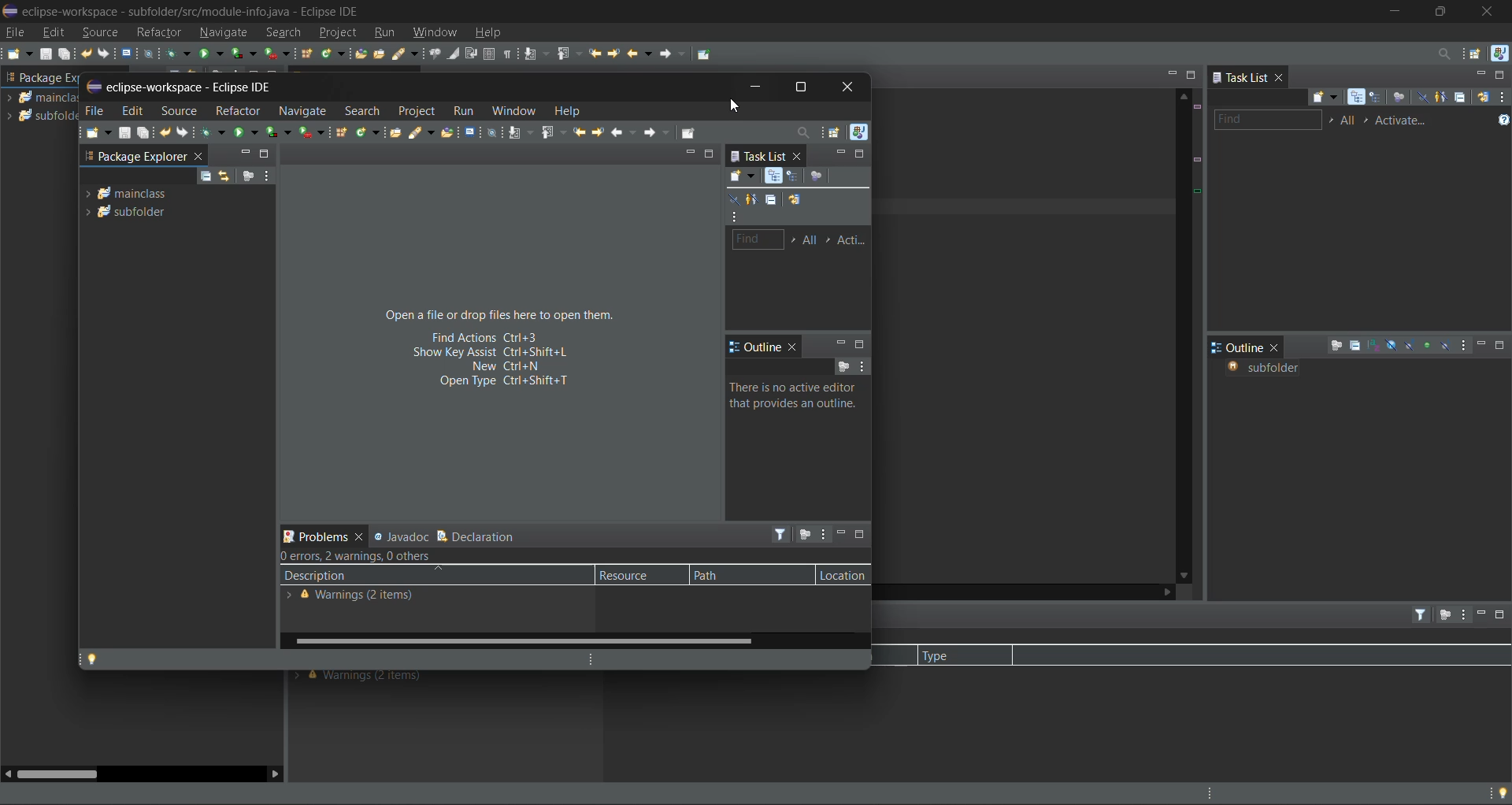  Describe the element at coordinates (758, 156) in the screenshot. I see `task list` at that location.